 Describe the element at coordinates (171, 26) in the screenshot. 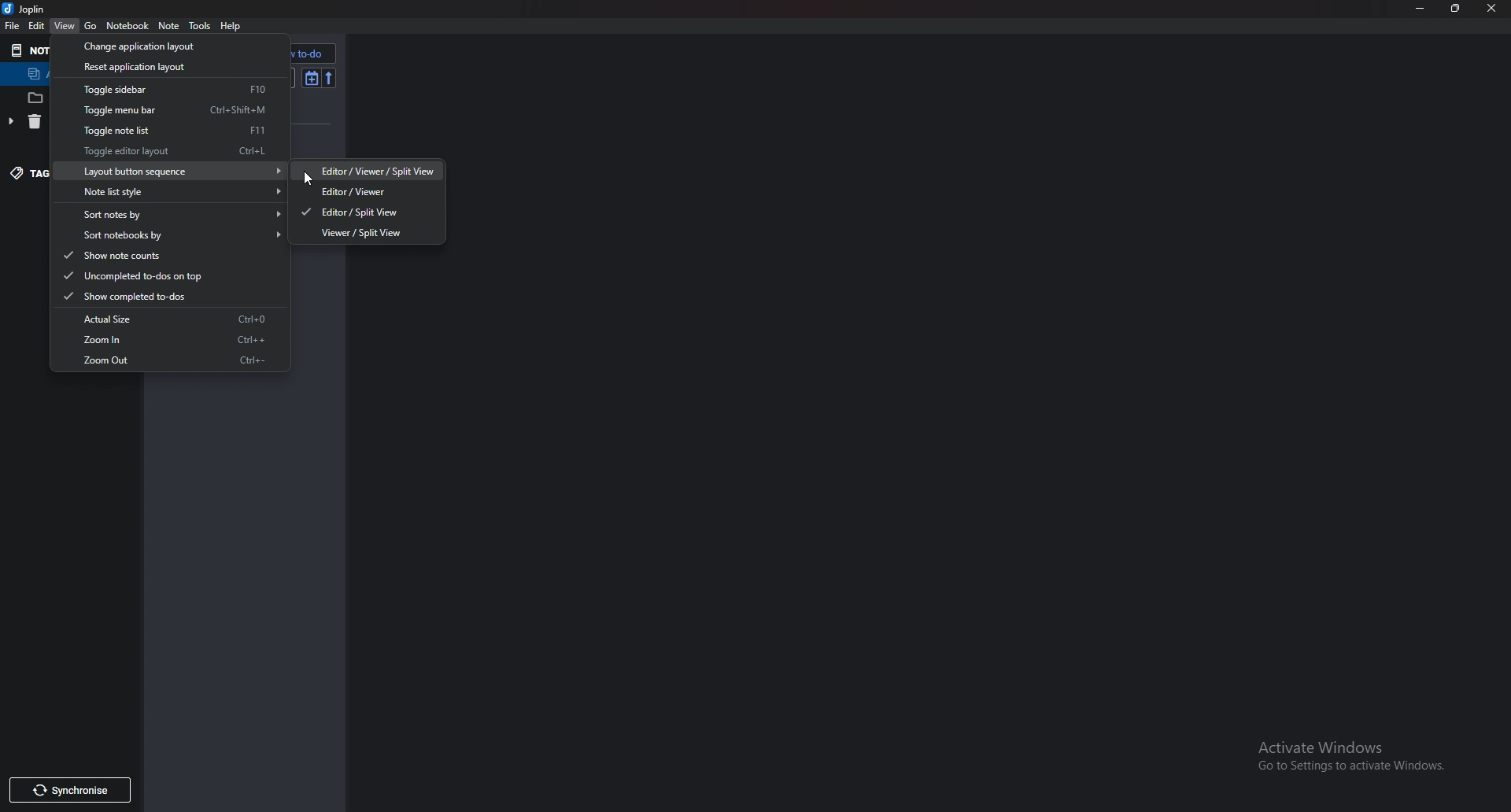

I see `Note` at that location.